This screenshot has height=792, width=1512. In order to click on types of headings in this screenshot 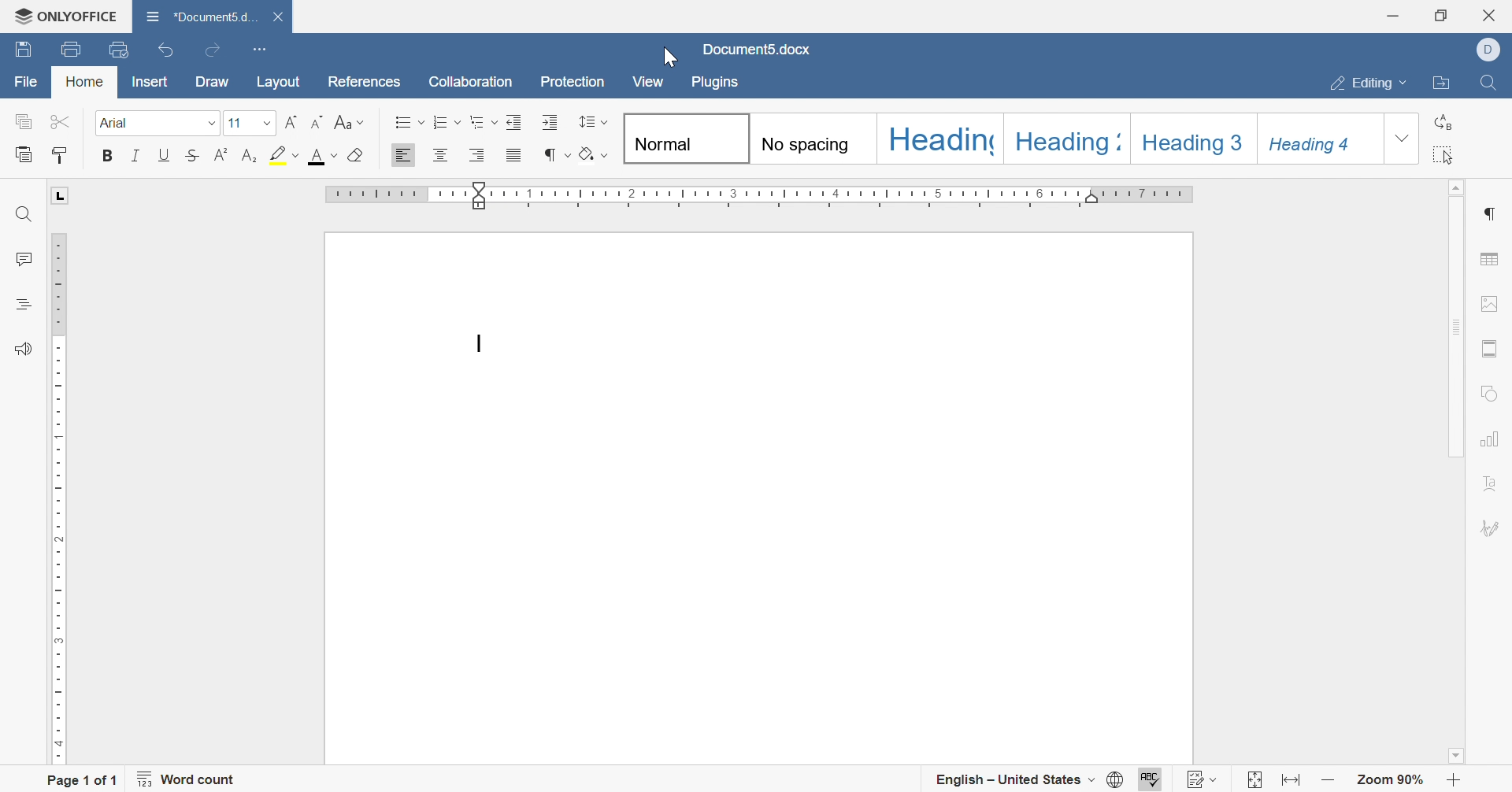, I will do `click(1002, 139)`.